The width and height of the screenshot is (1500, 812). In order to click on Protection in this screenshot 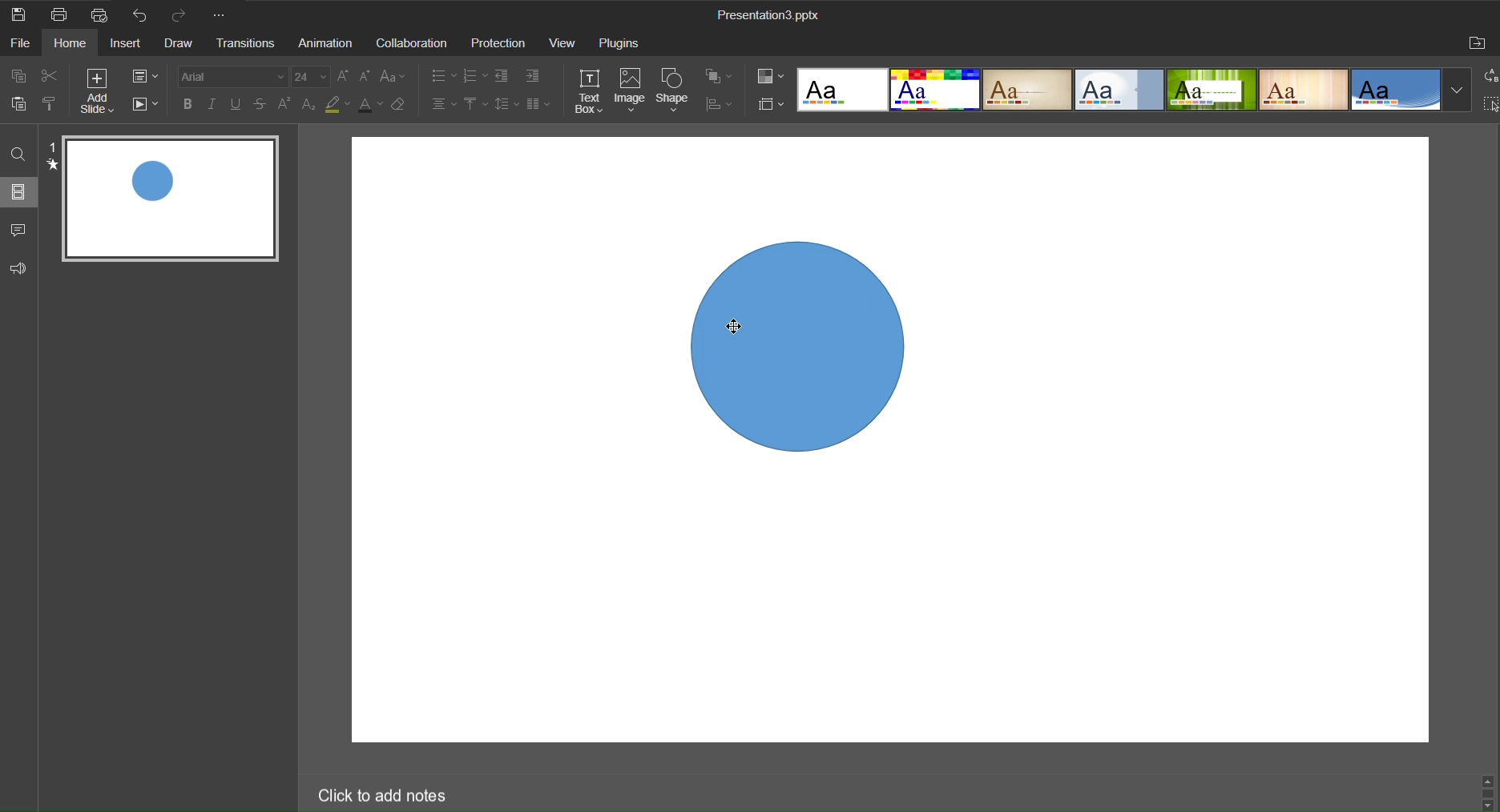, I will do `click(497, 44)`.